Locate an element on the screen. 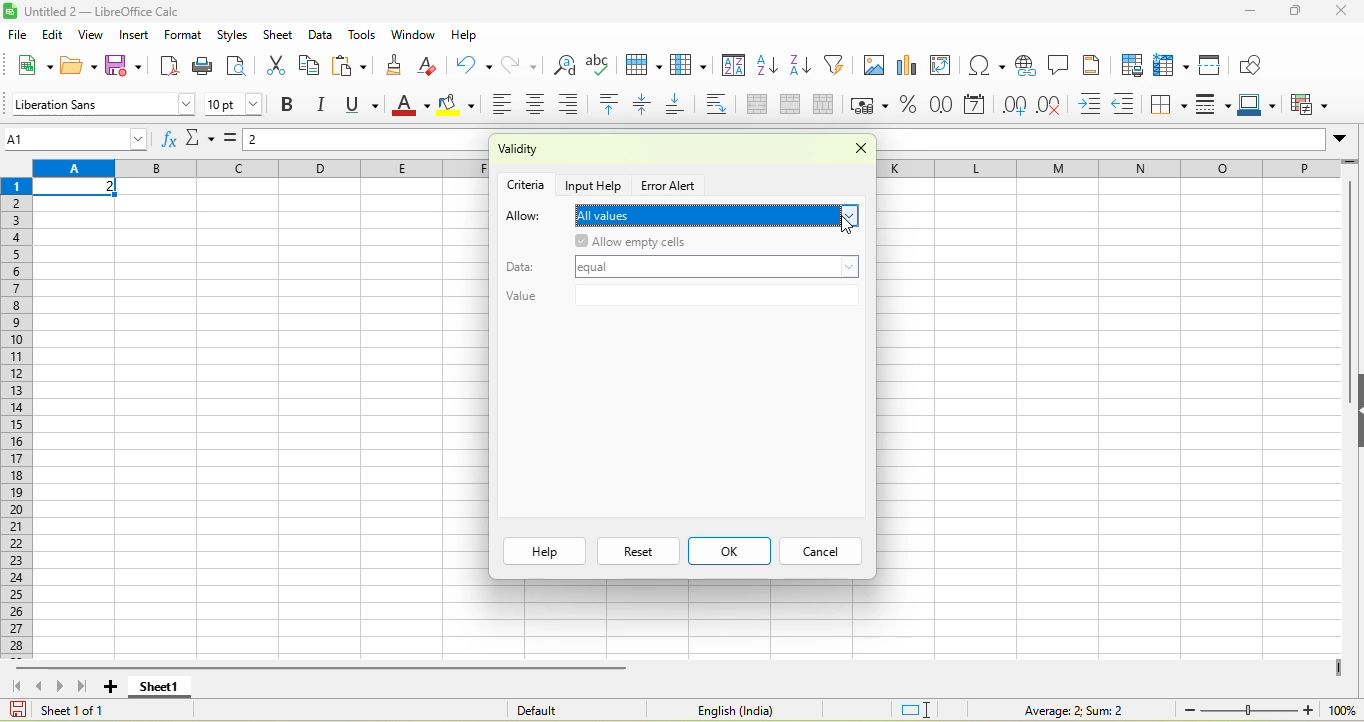 The image size is (1364, 722). add new sheet is located at coordinates (110, 687).